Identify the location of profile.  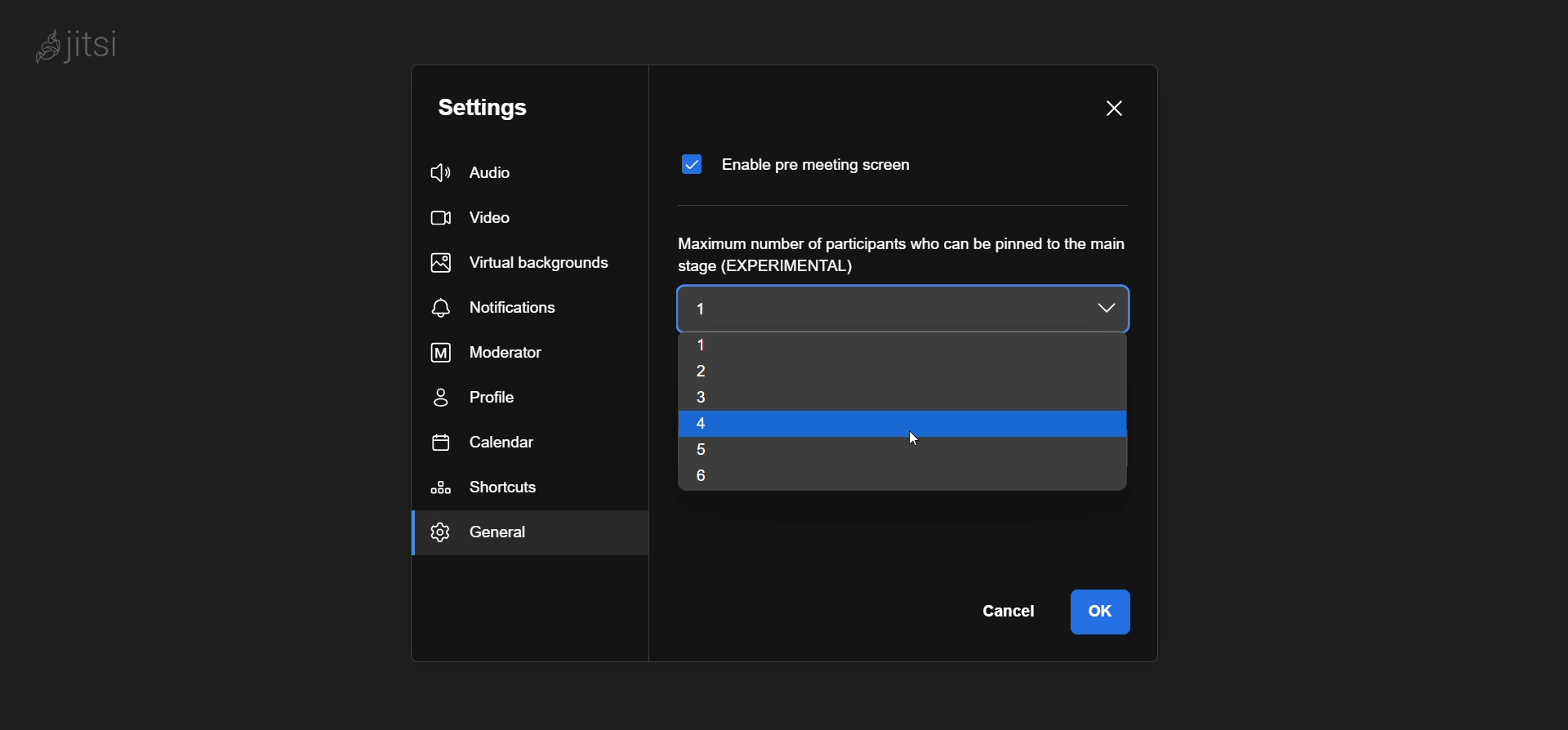
(480, 400).